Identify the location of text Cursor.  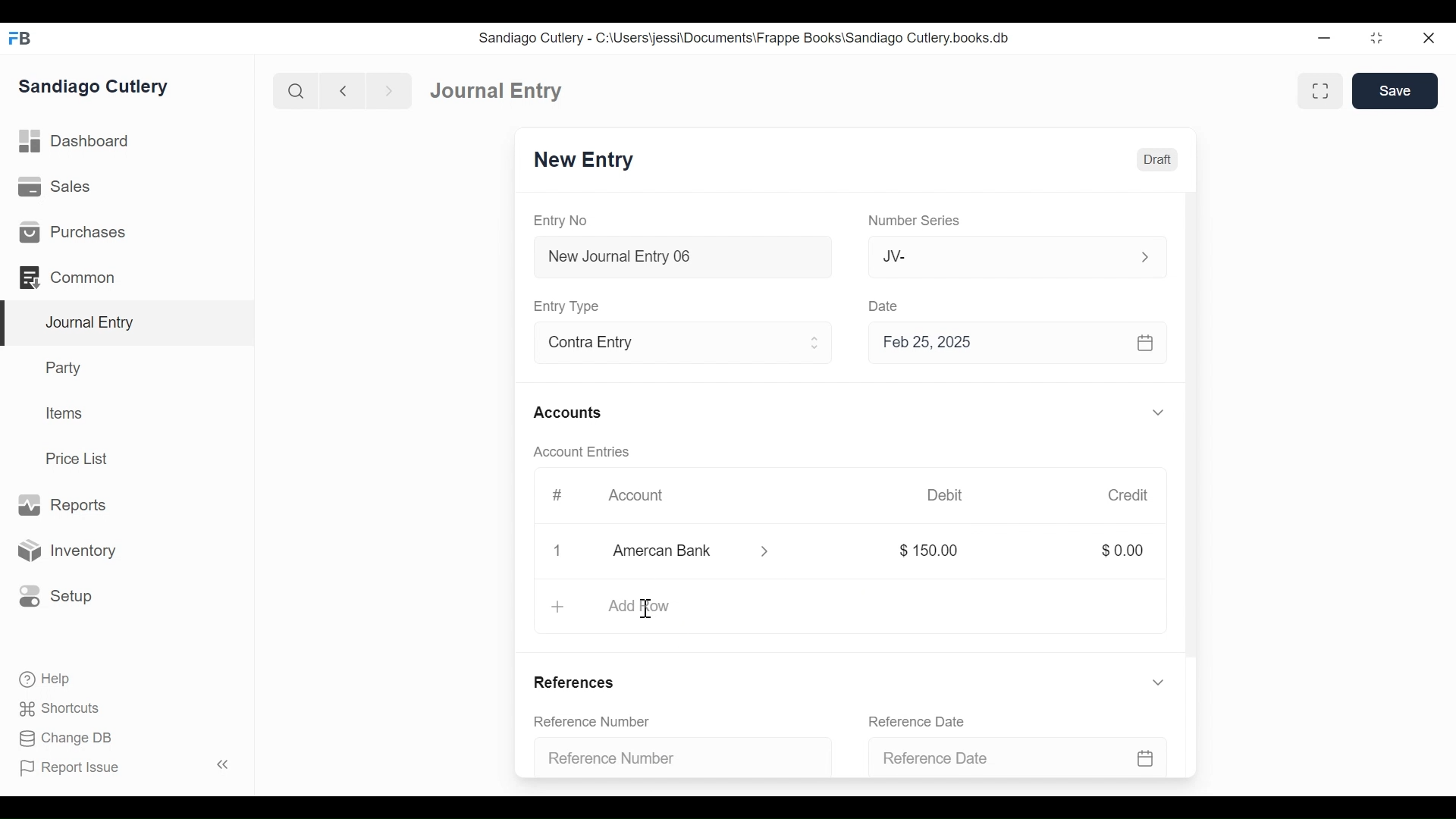
(647, 610).